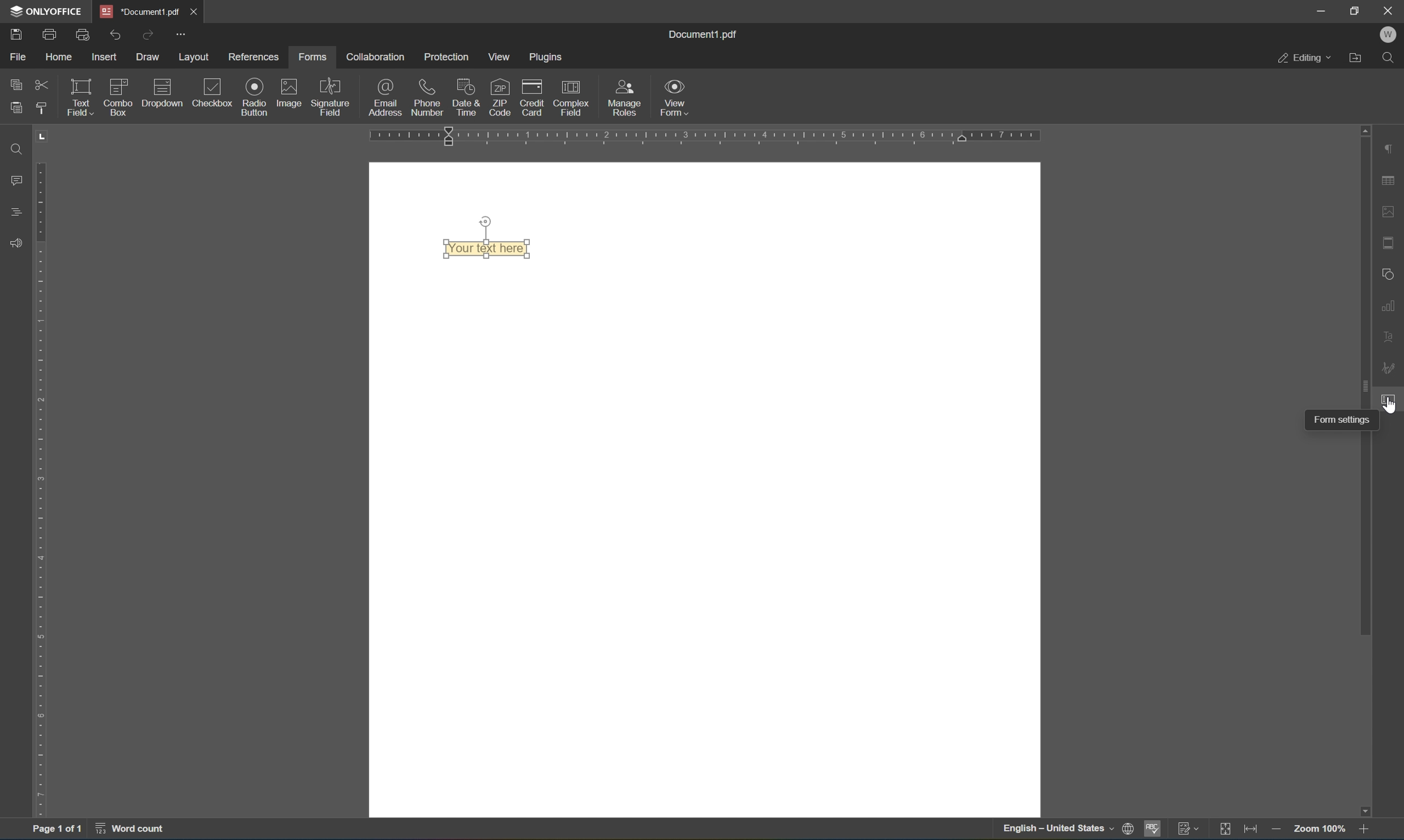  What do you see at coordinates (41, 490) in the screenshot?
I see `ruler` at bounding box center [41, 490].